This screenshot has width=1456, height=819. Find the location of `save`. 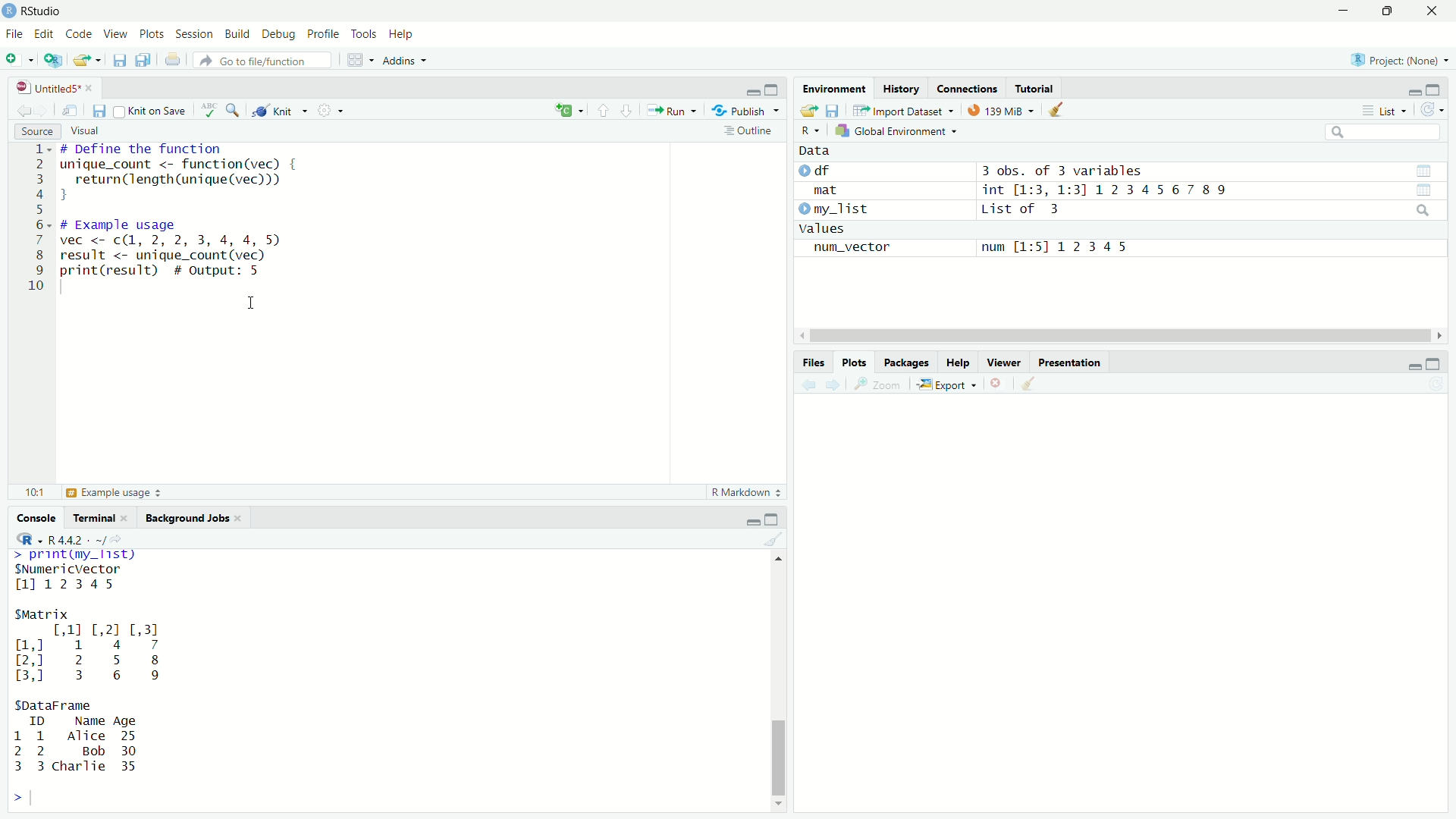

save is located at coordinates (99, 111).